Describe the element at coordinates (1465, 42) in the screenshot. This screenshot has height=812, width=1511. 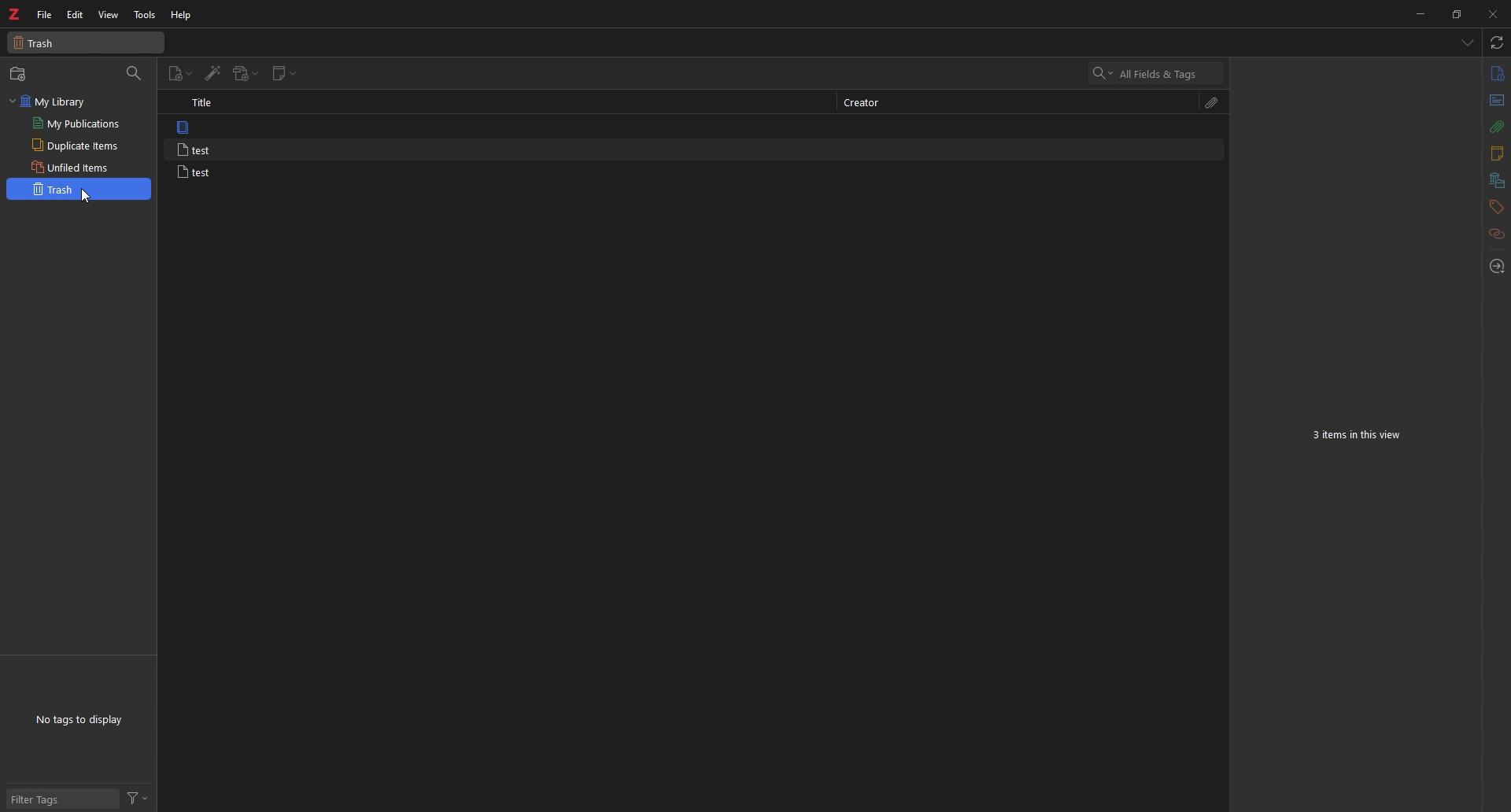
I see `list all tabs` at that location.